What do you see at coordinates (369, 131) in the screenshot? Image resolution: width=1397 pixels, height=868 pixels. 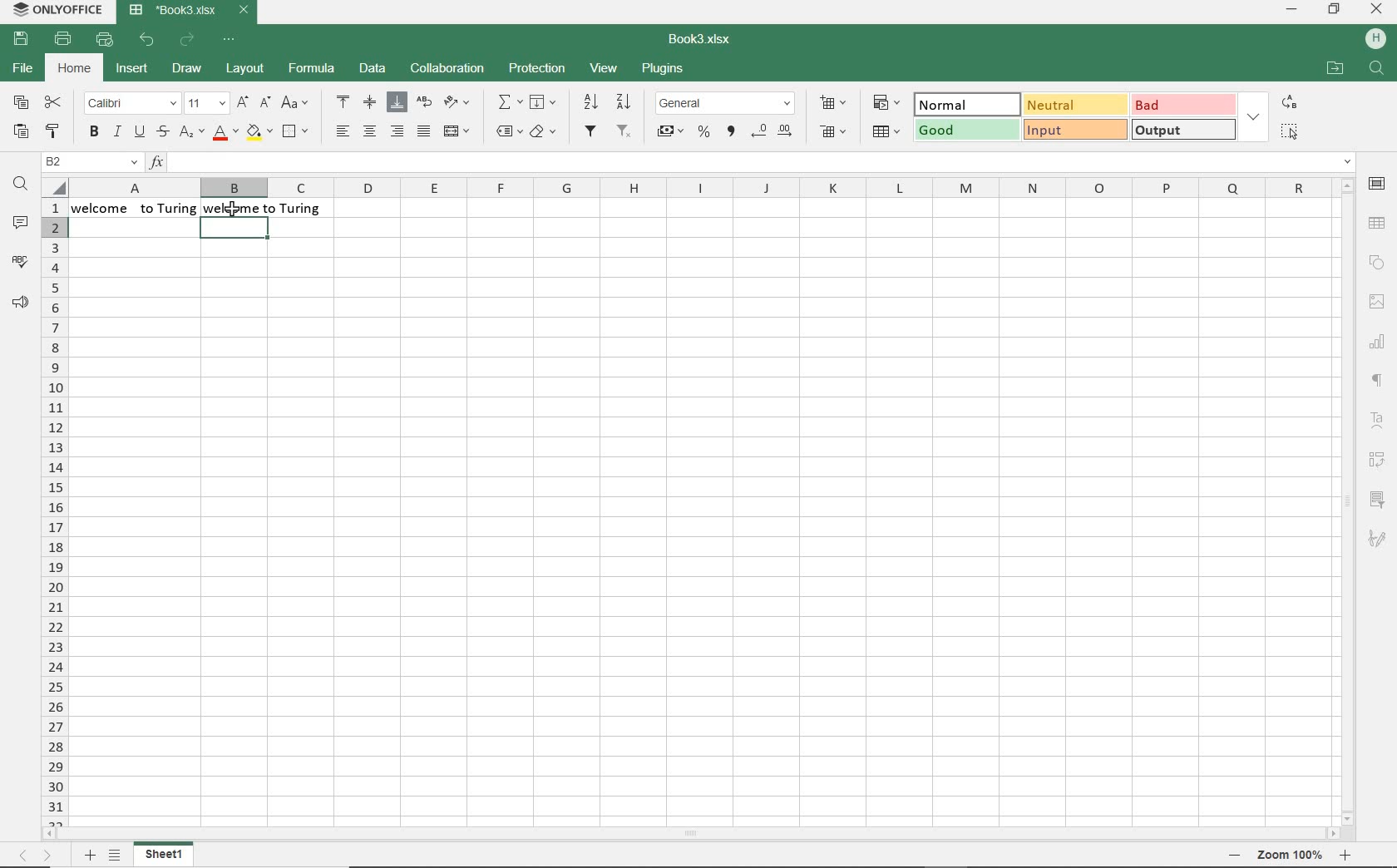 I see `align center` at bounding box center [369, 131].